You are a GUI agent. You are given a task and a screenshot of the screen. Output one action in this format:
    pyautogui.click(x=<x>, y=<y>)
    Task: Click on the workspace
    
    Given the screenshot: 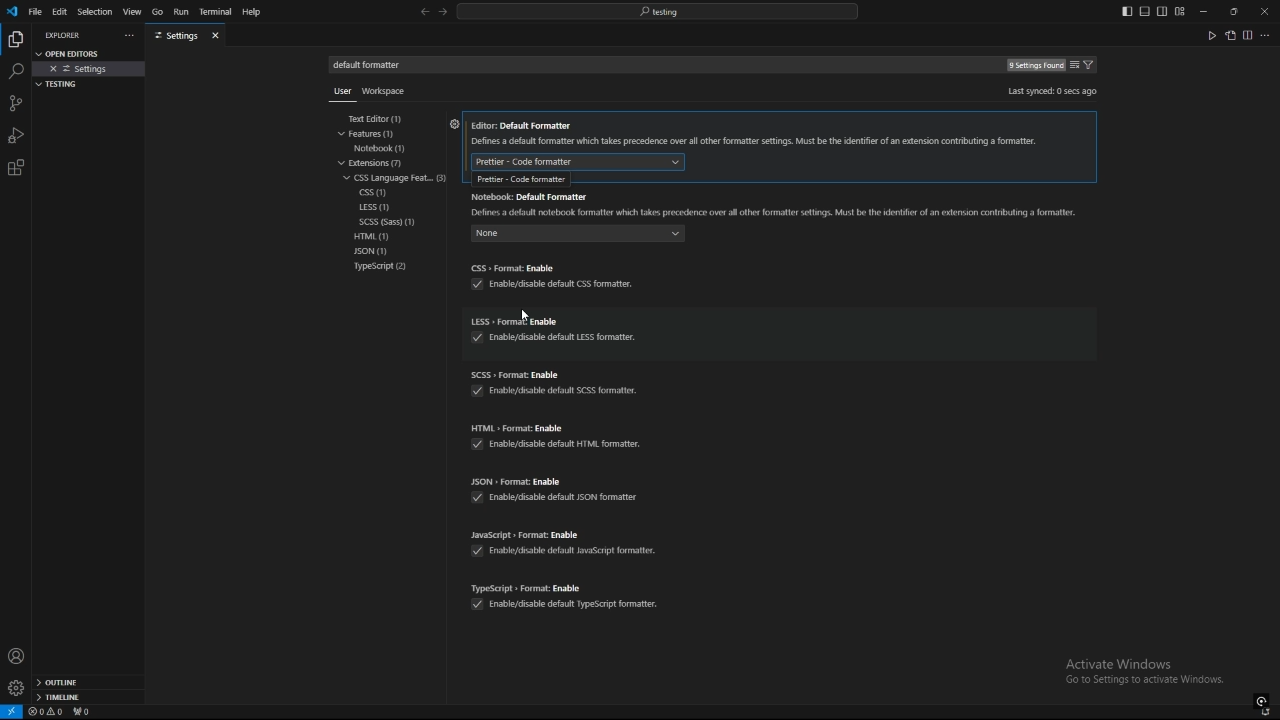 What is the action you would take?
    pyautogui.click(x=388, y=89)
    